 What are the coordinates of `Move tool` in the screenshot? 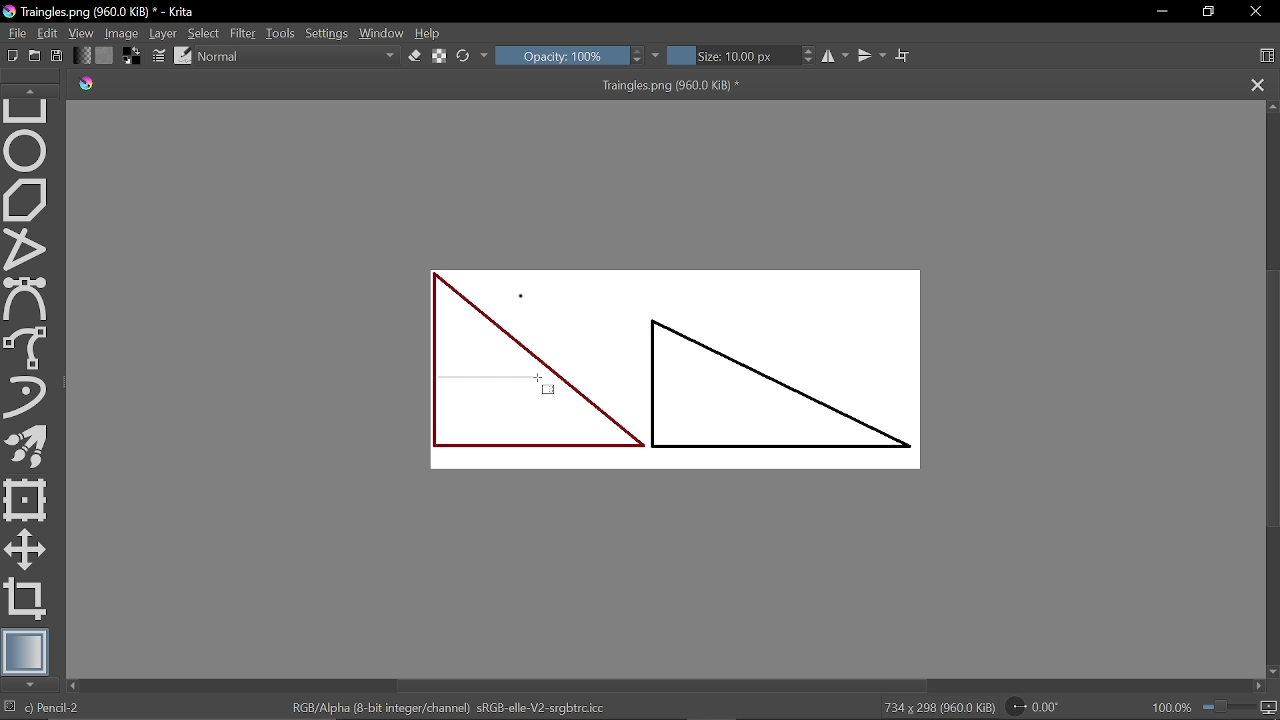 It's located at (25, 549).